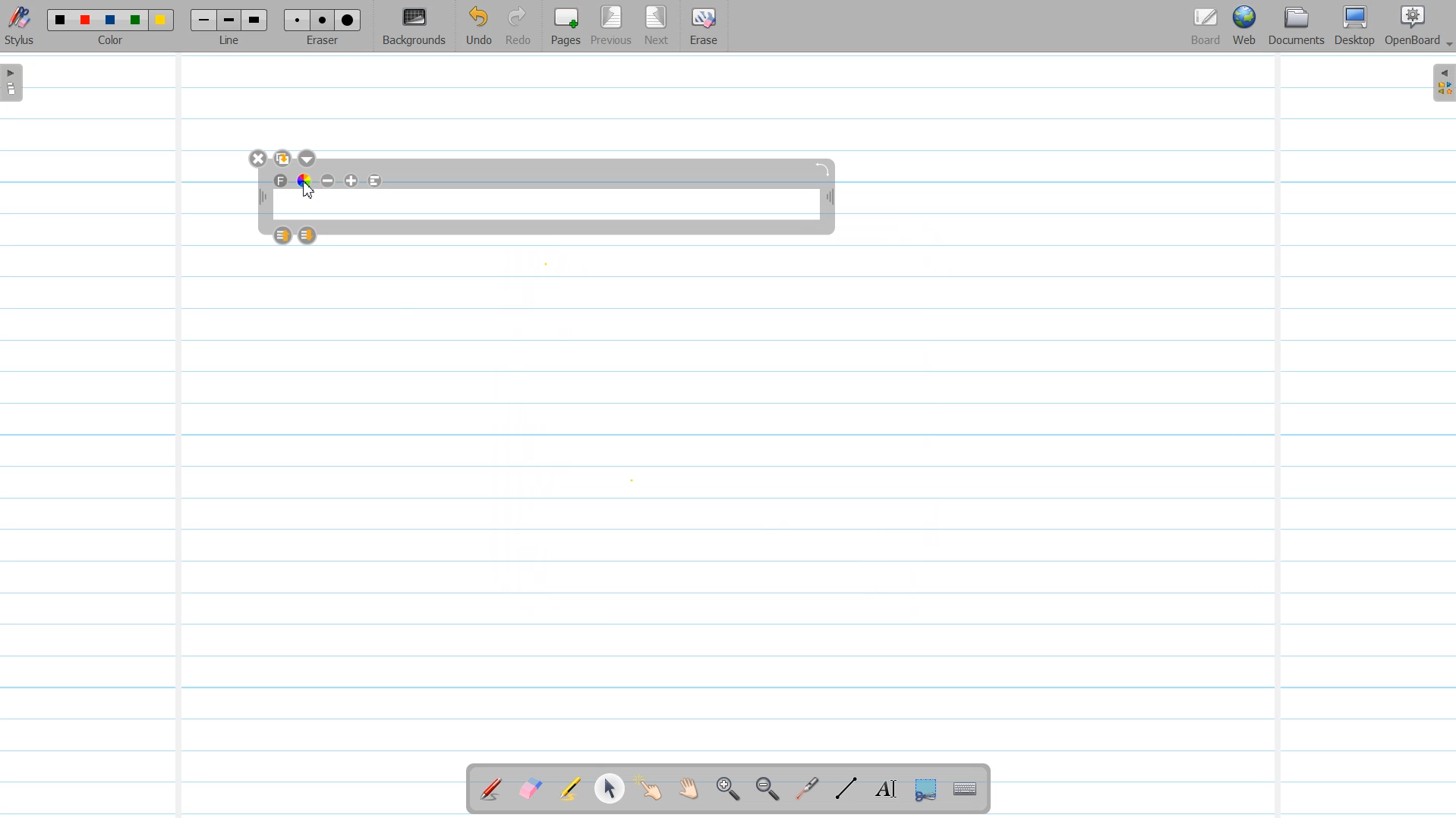  What do you see at coordinates (966, 790) in the screenshot?
I see `Display virtual Keyboard` at bounding box center [966, 790].